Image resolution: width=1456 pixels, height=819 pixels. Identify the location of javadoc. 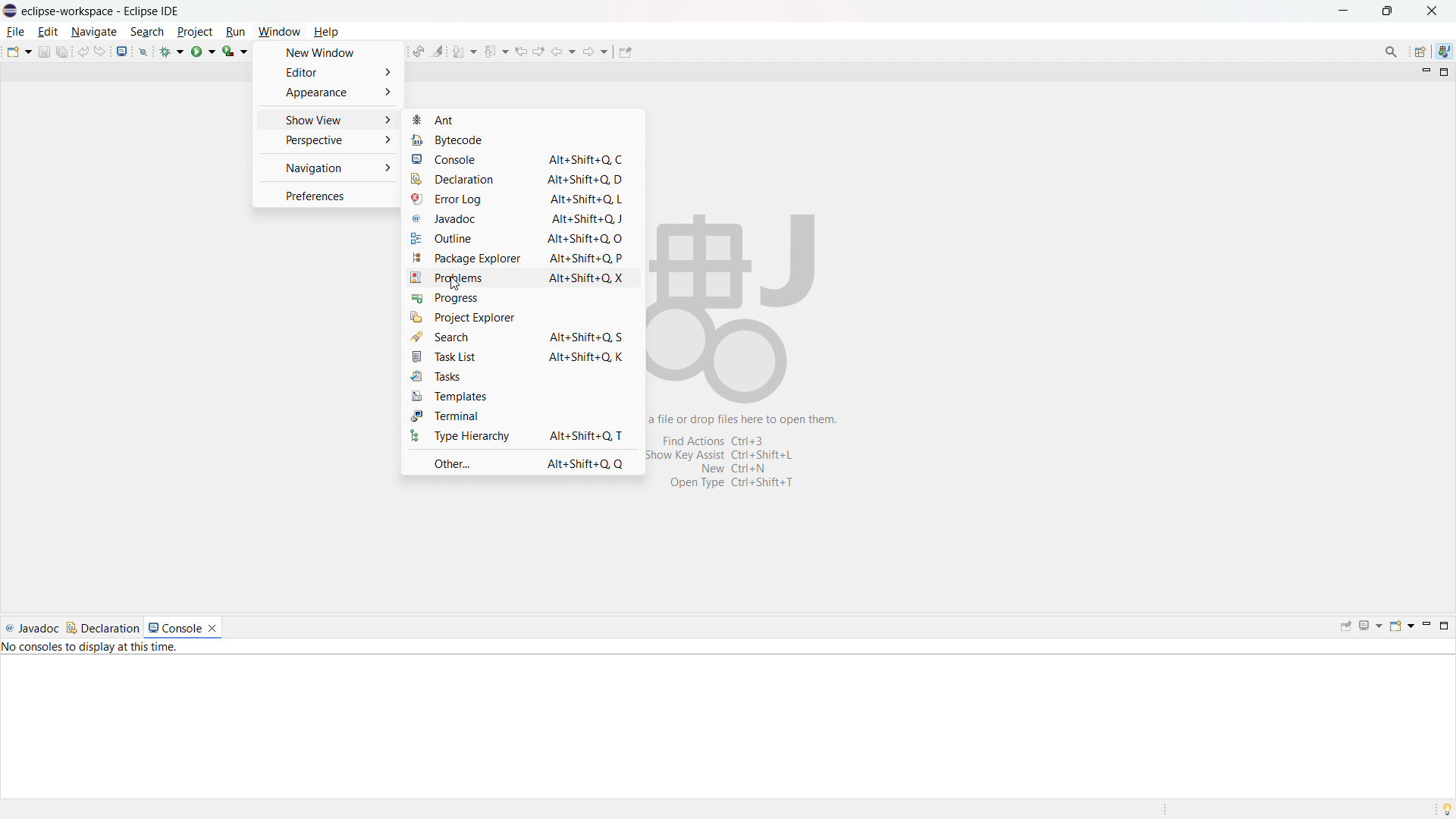
(521, 219).